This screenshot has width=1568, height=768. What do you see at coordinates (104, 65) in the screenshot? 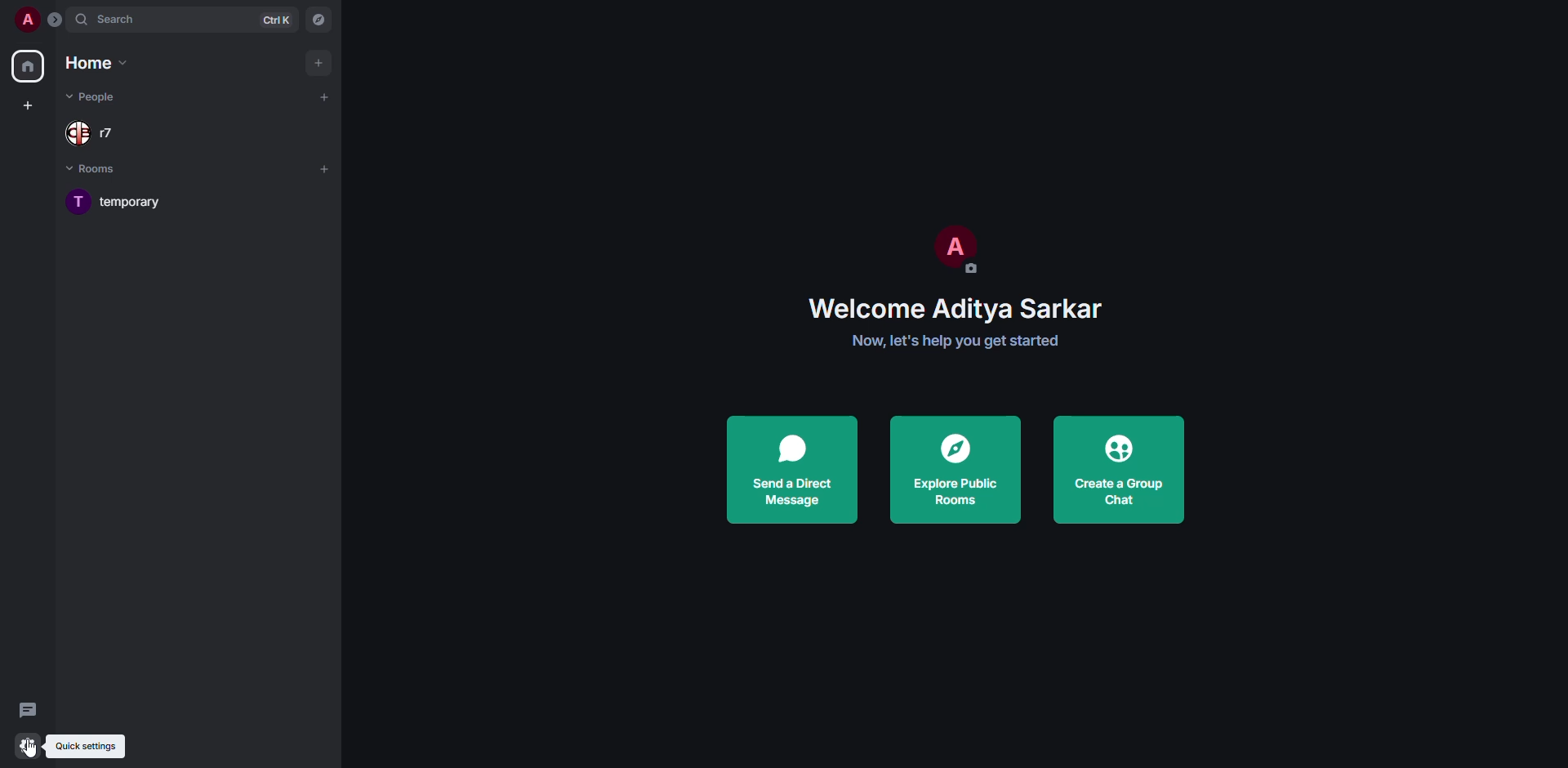
I see `home` at bounding box center [104, 65].